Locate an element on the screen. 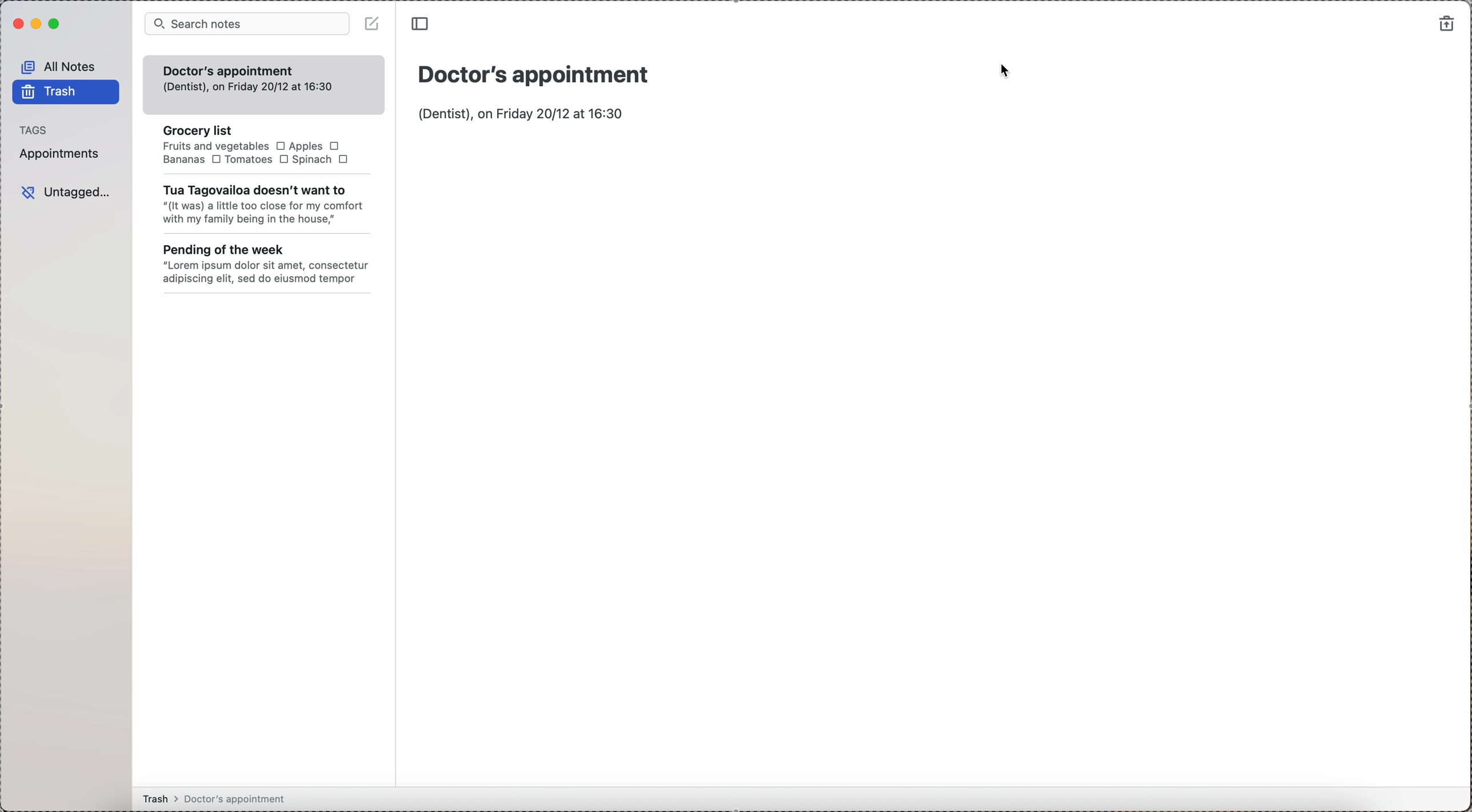 This screenshot has width=1472, height=812. cursor is located at coordinates (1006, 71).